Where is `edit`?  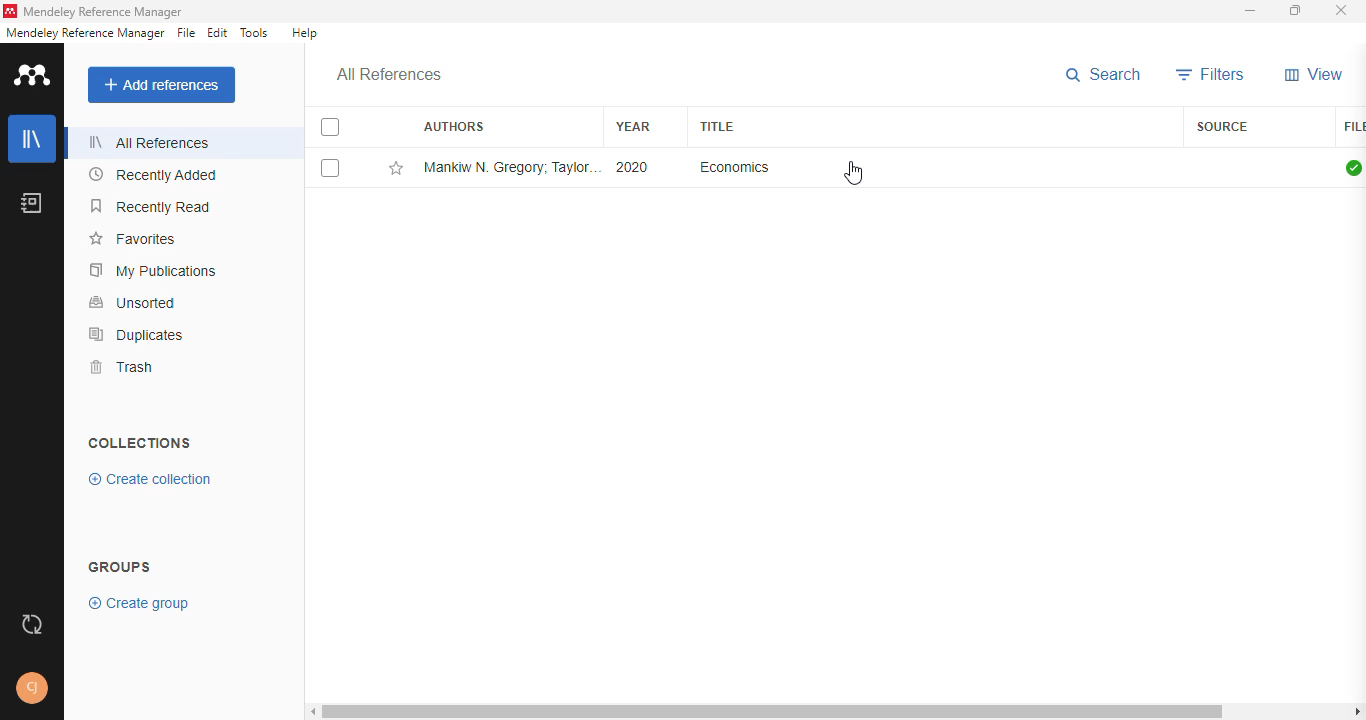
edit is located at coordinates (219, 34).